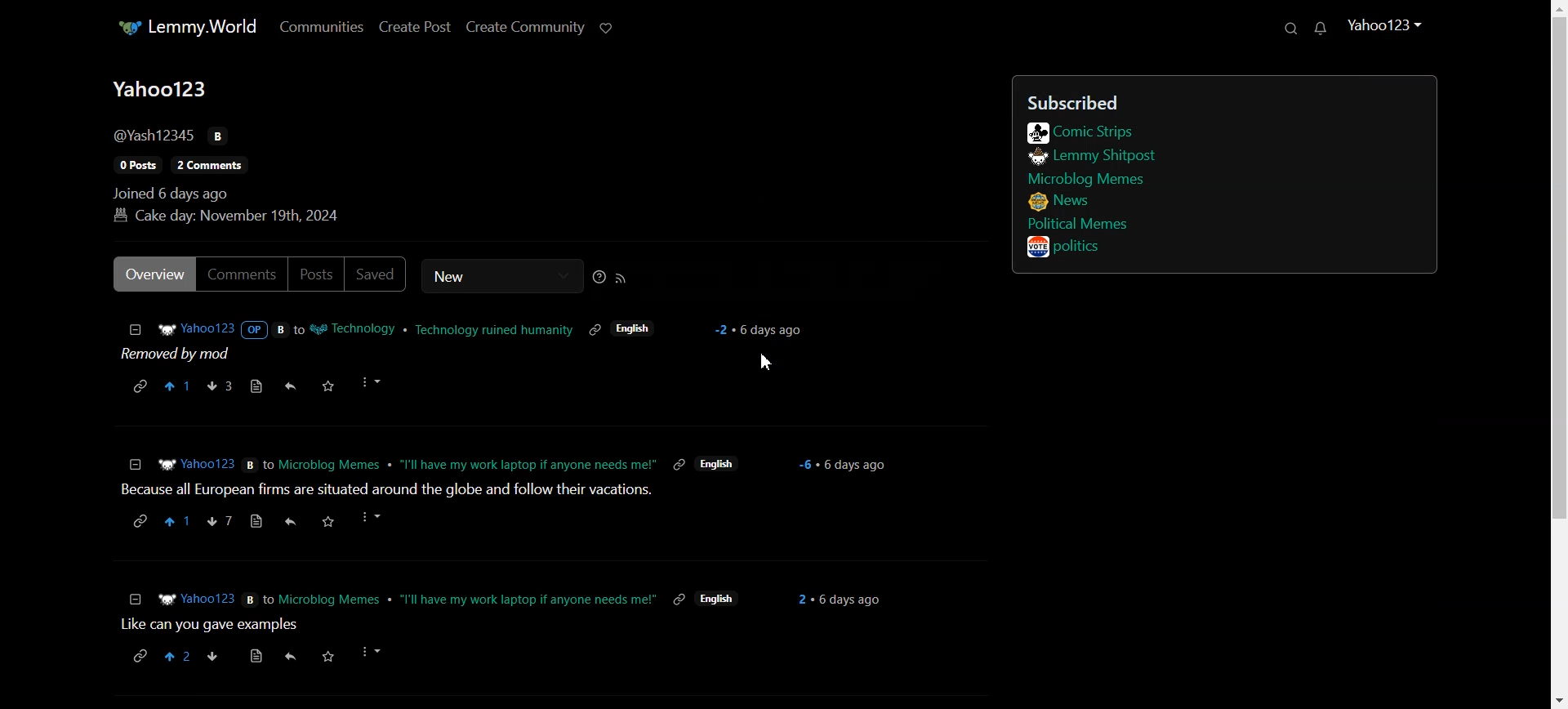 This screenshot has width=1568, height=709. What do you see at coordinates (718, 599) in the screenshot?
I see `english` at bounding box center [718, 599].